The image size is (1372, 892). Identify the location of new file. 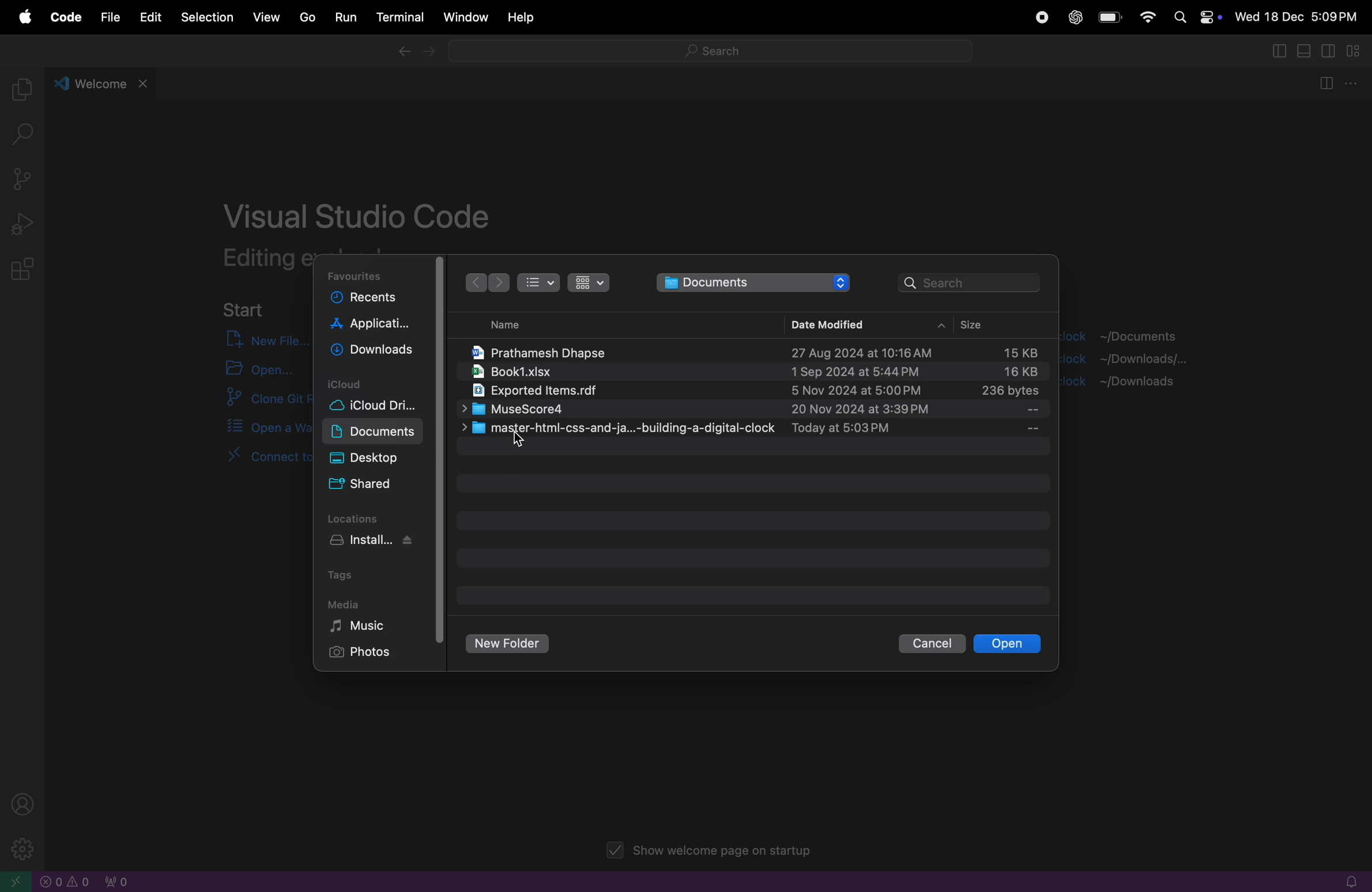
(258, 339).